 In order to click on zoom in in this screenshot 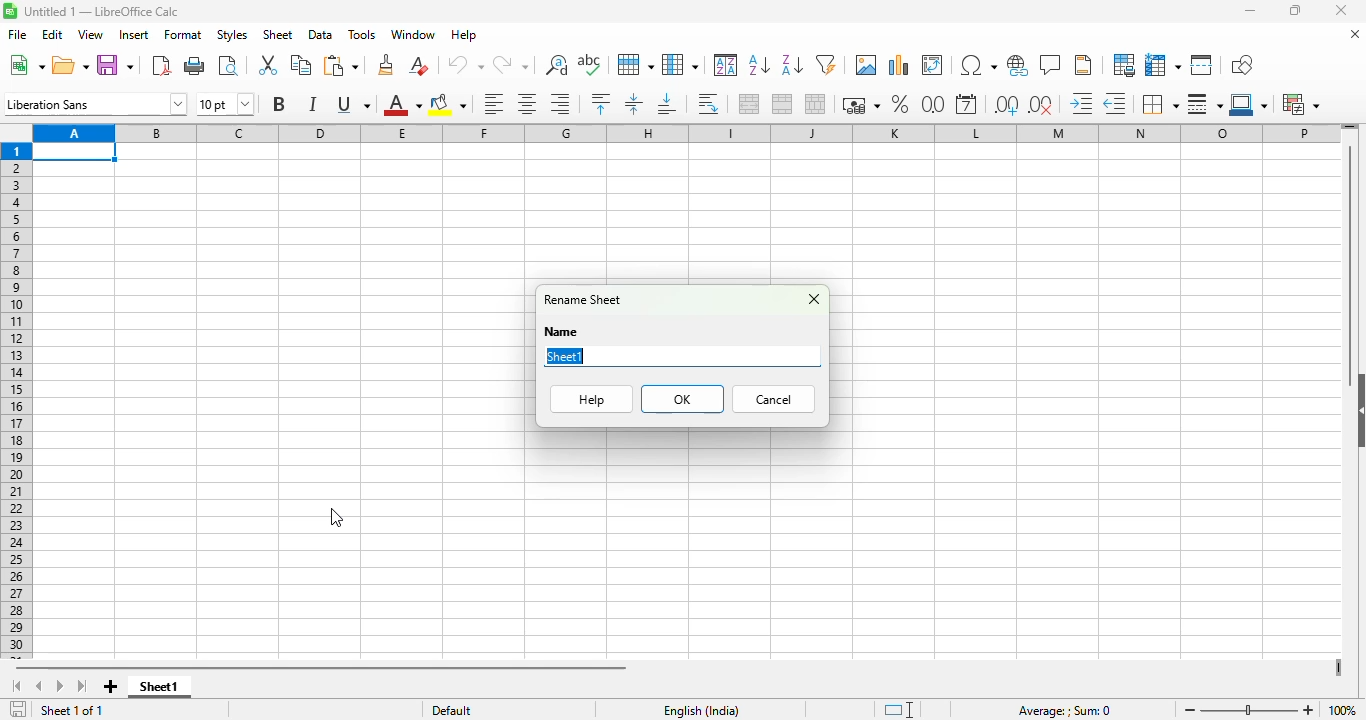, I will do `click(1309, 710)`.